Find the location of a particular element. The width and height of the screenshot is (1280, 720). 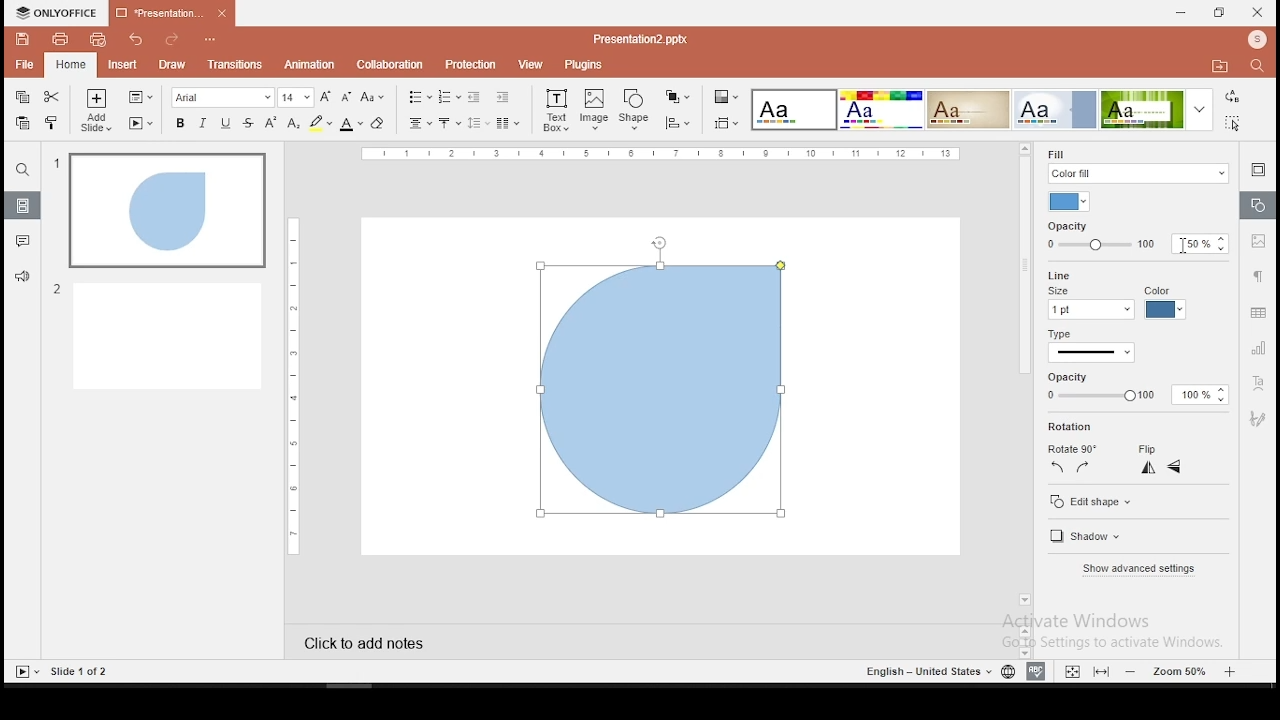

italics is located at coordinates (201, 124).